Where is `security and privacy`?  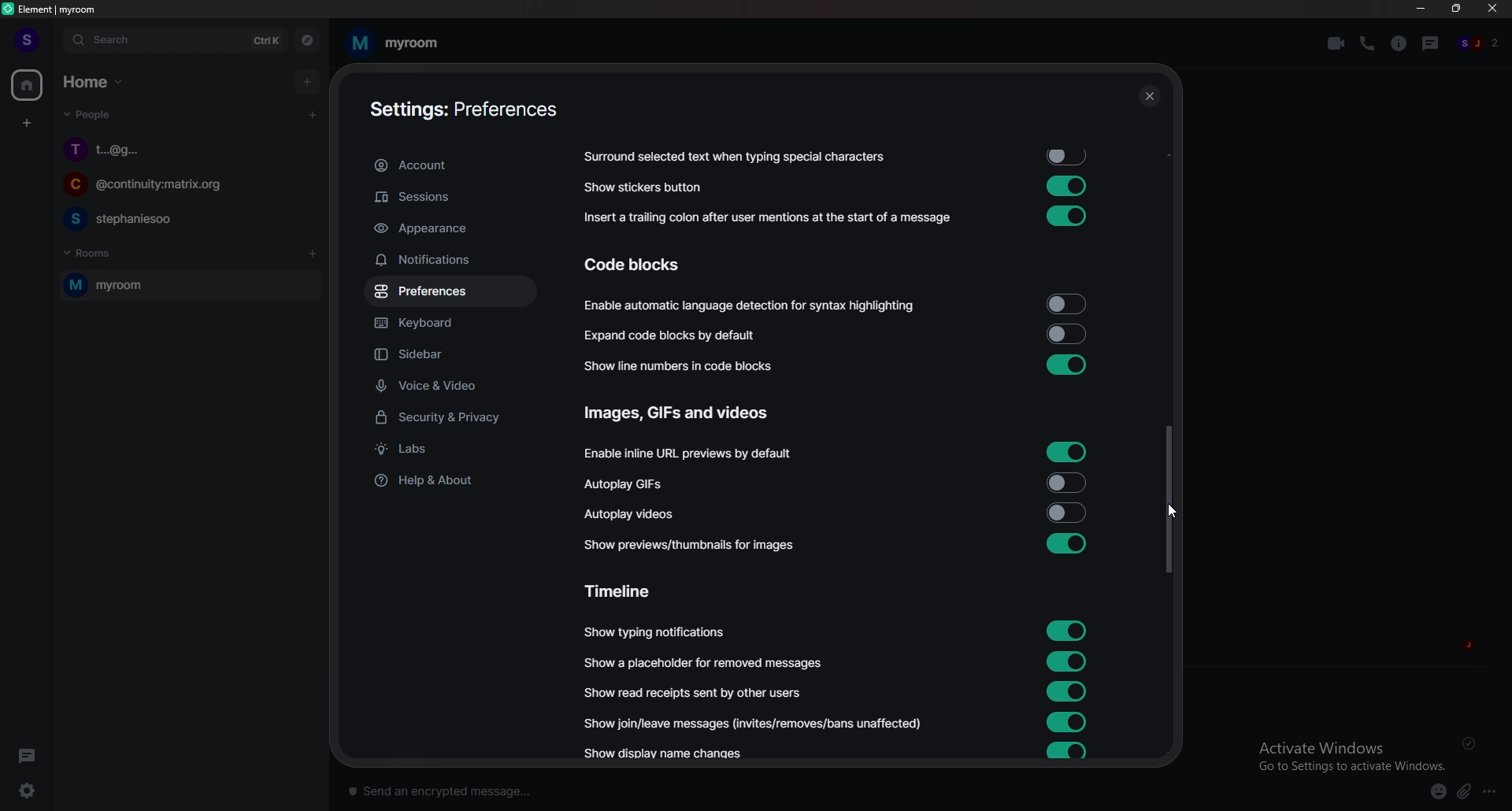 security and privacy is located at coordinates (451, 419).